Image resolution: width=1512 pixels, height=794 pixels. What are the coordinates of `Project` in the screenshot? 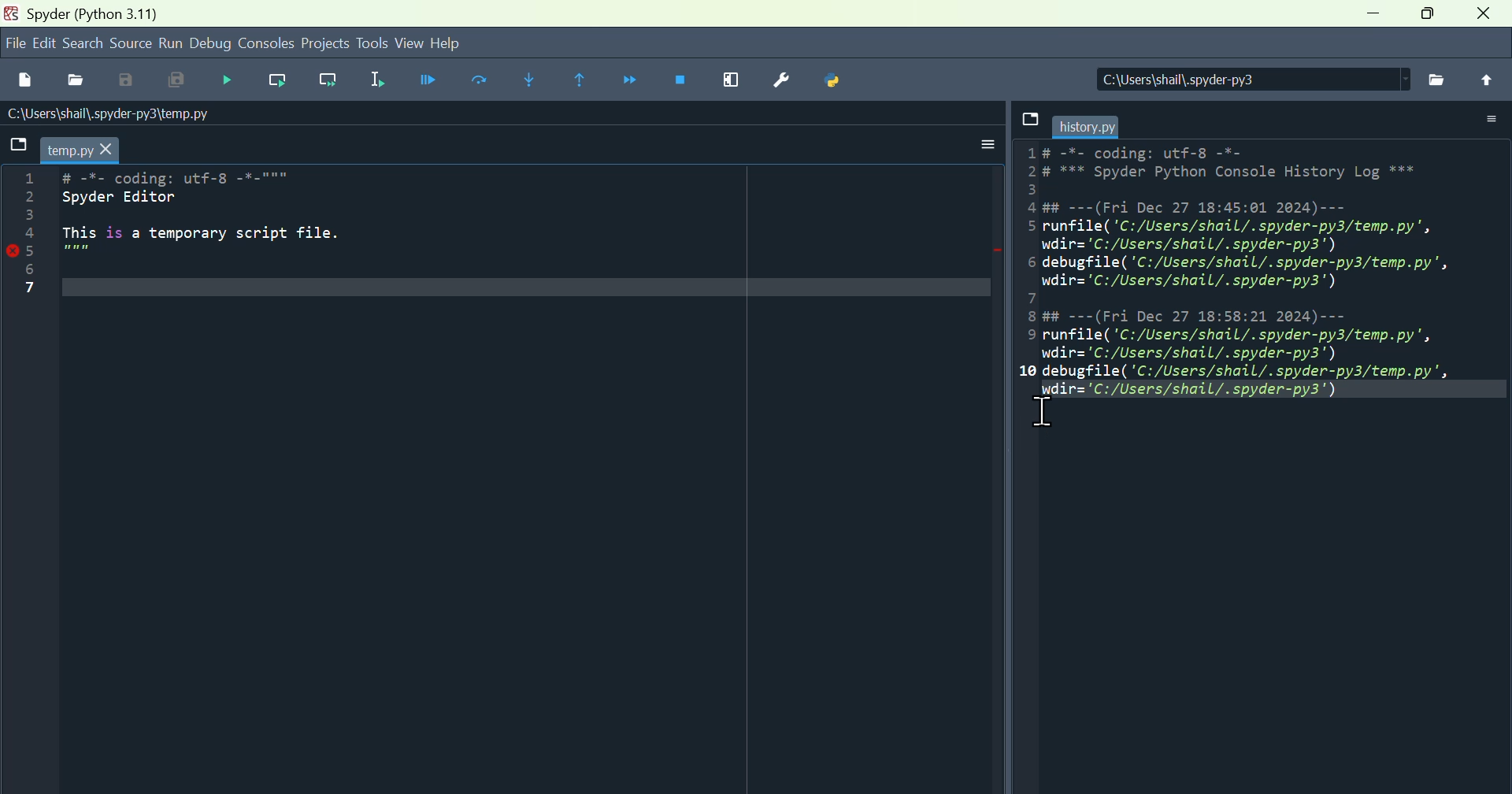 It's located at (324, 43).